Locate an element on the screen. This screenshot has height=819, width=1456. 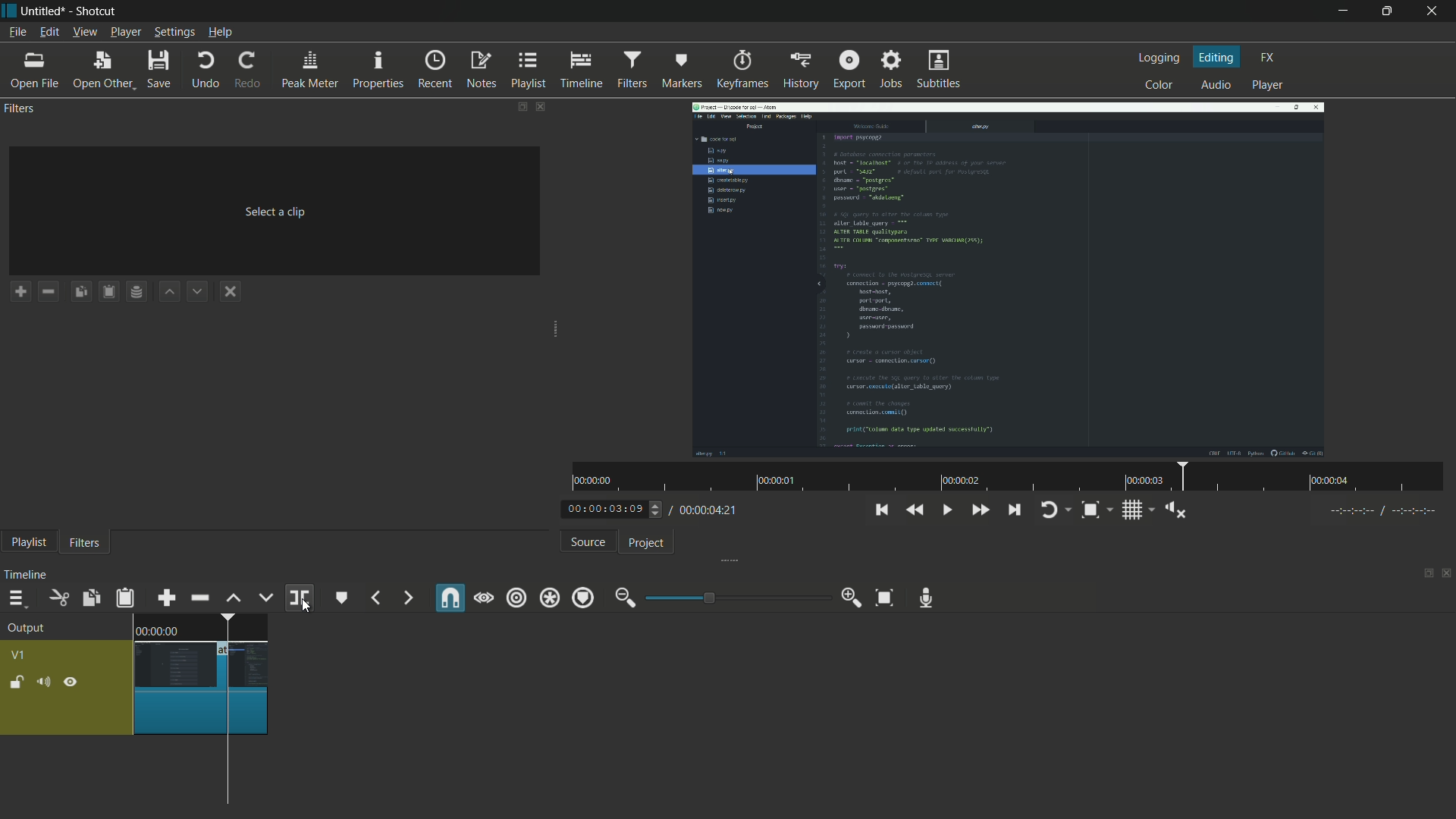
quickly play backward is located at coordinates (916, 511).